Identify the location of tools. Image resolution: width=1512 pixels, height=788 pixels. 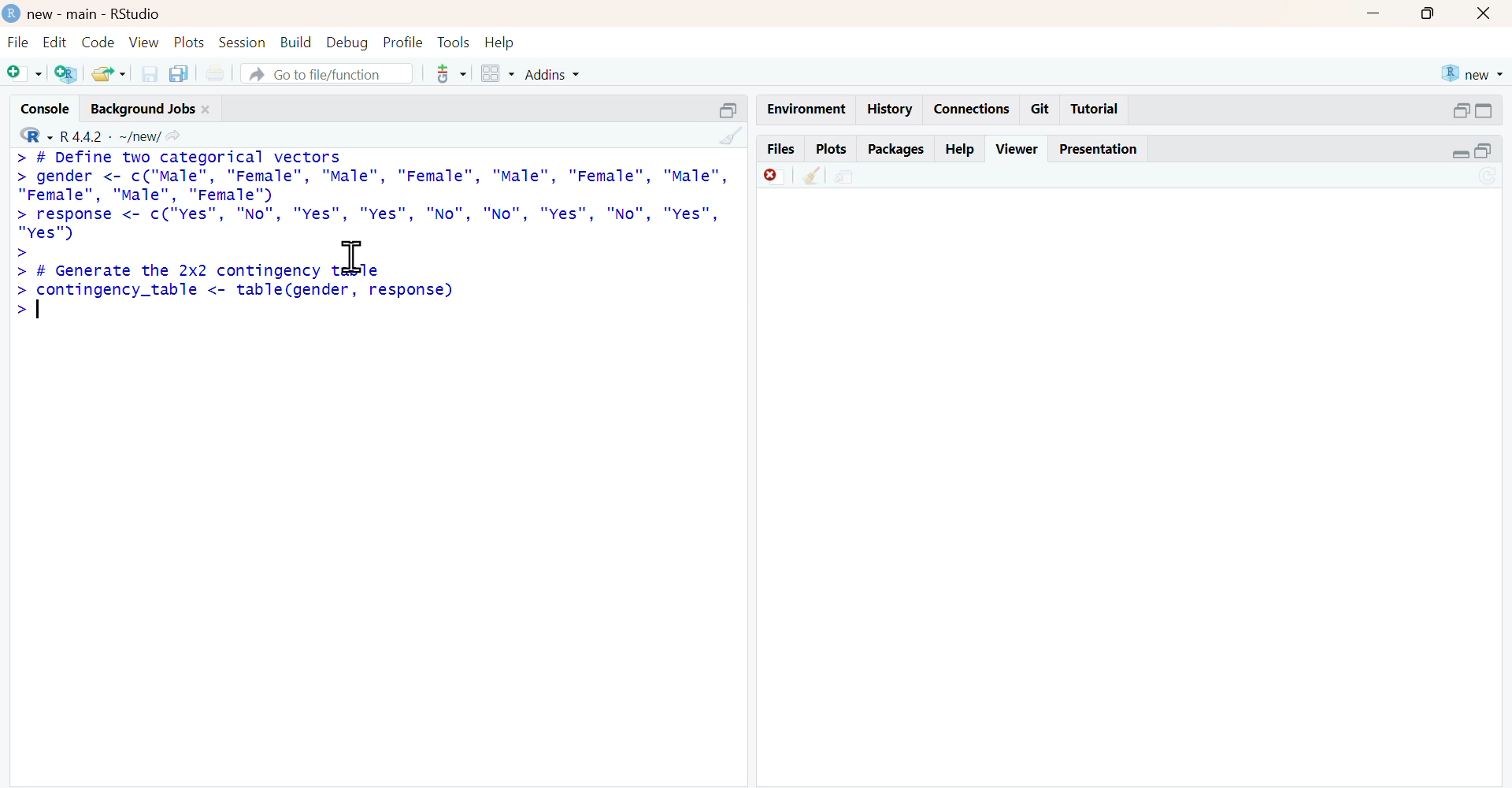
(453, 74).